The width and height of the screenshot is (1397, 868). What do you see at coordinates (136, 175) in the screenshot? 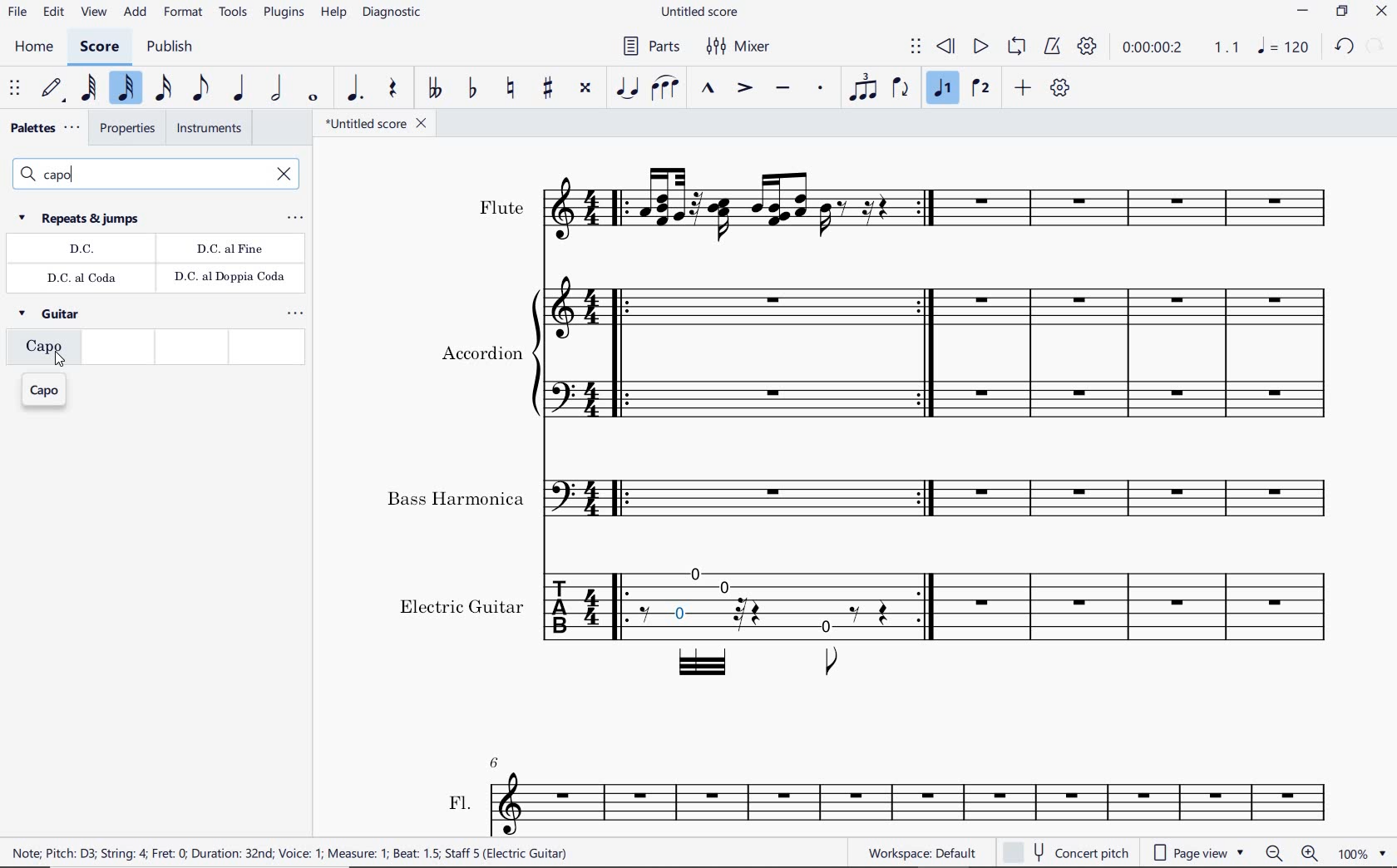
I see `typing "capo" in search bar` at bounding box center [136, 175].